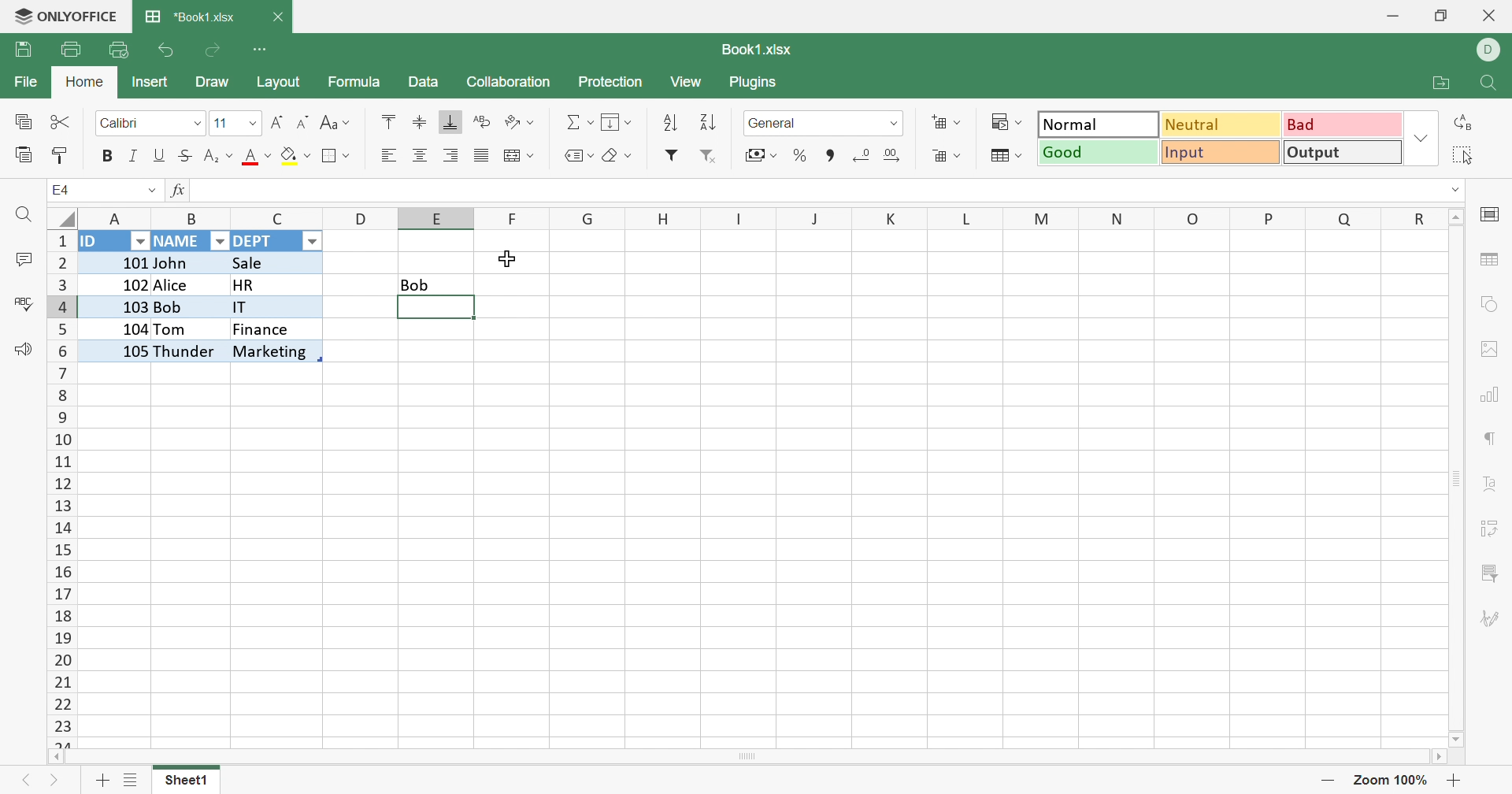 Image resolution: width=1512 pixels, height=794 pixels. Describe the element at coordinates (124, 123) in the screenshot. I see `Calibri` at that location.